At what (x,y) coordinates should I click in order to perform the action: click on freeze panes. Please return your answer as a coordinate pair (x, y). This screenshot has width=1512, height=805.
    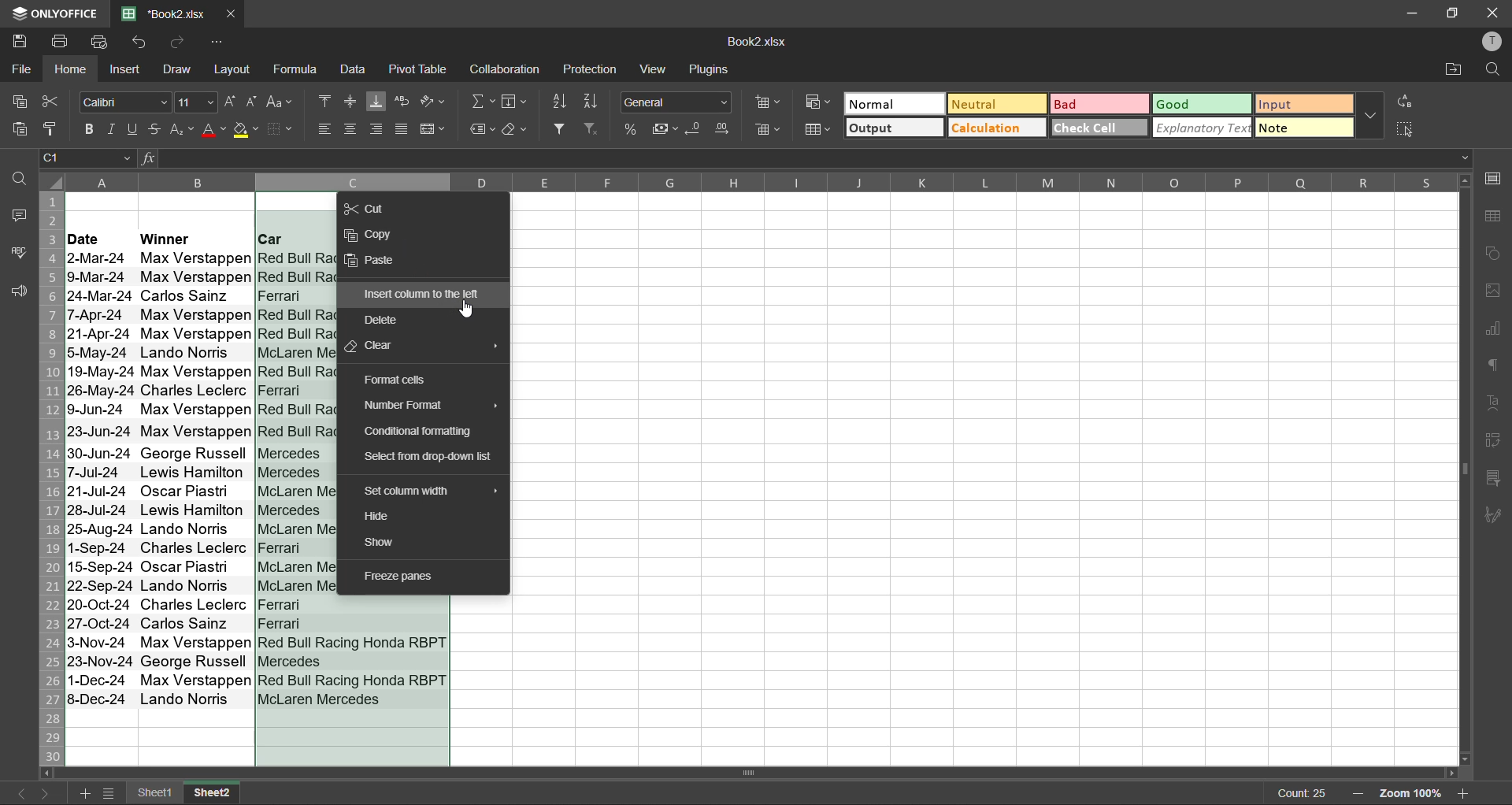
    Looking at the image, I should click on (399, 575).